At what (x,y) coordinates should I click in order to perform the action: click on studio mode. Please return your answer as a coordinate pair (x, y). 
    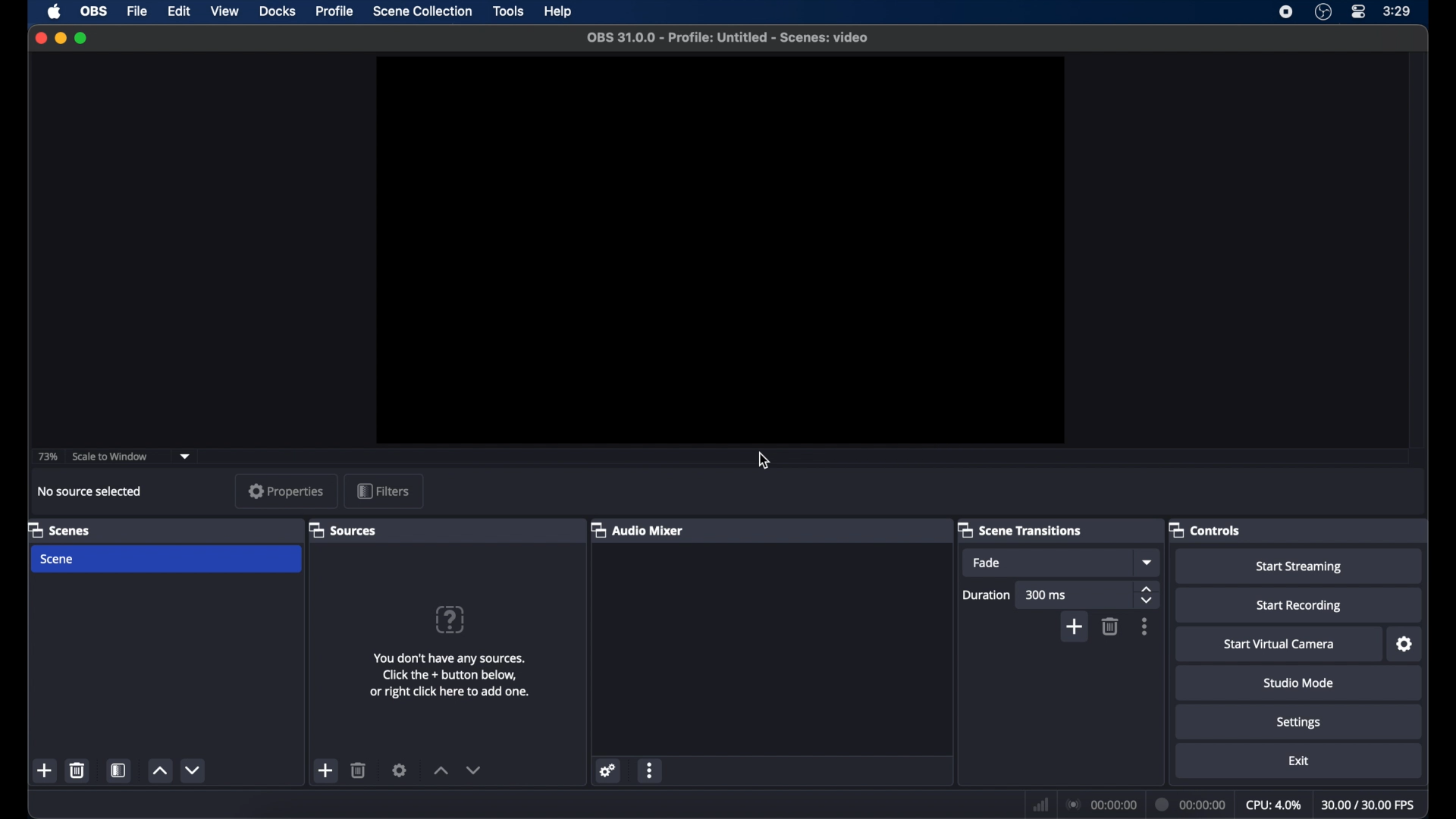
    Looking at the image, I should click on (1301, 682).